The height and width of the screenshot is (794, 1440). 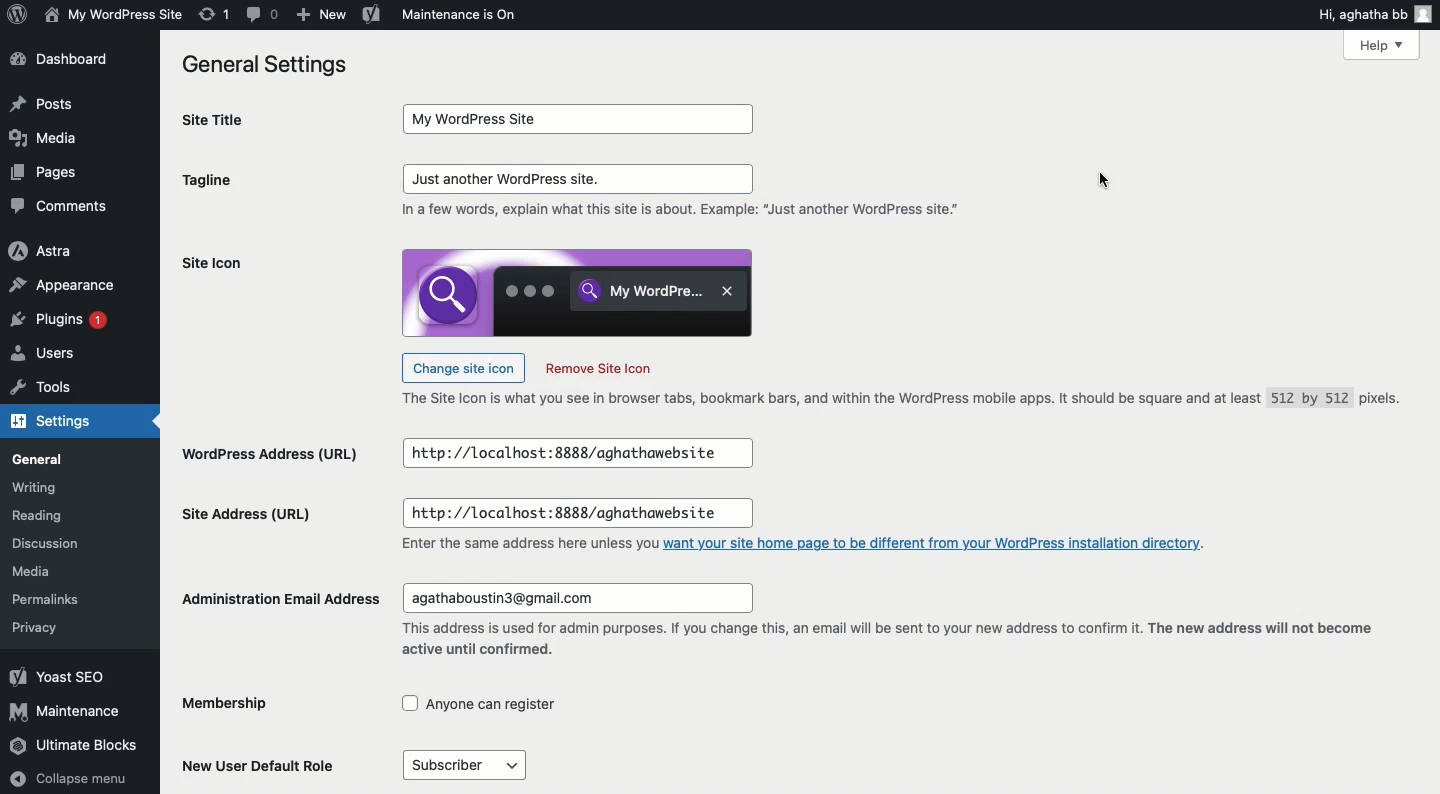 I want to click on Plugins, so click(x=63, y=322).